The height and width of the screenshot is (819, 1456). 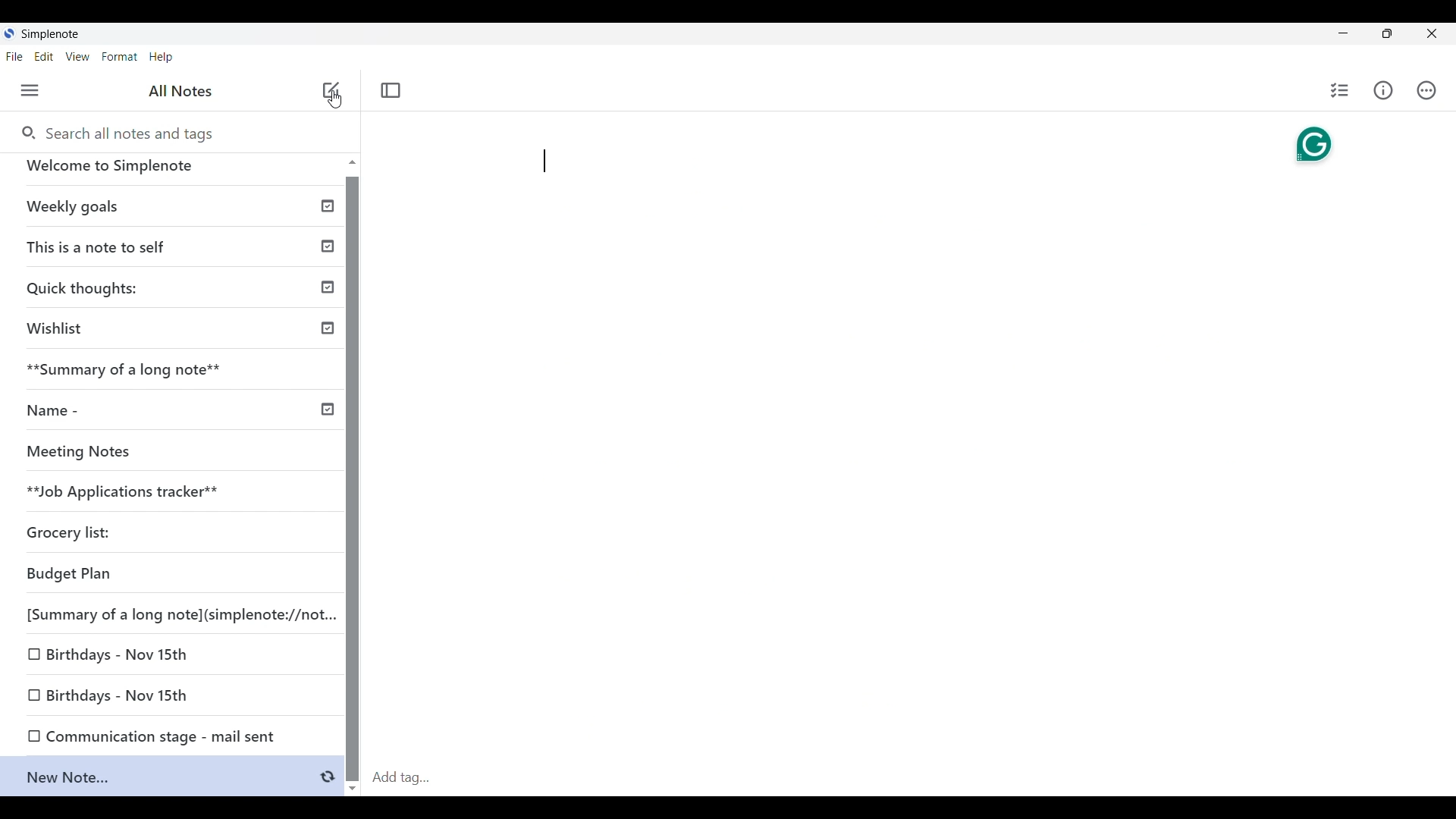 I want to click on Indicates saving, so click(x=328, y=777).